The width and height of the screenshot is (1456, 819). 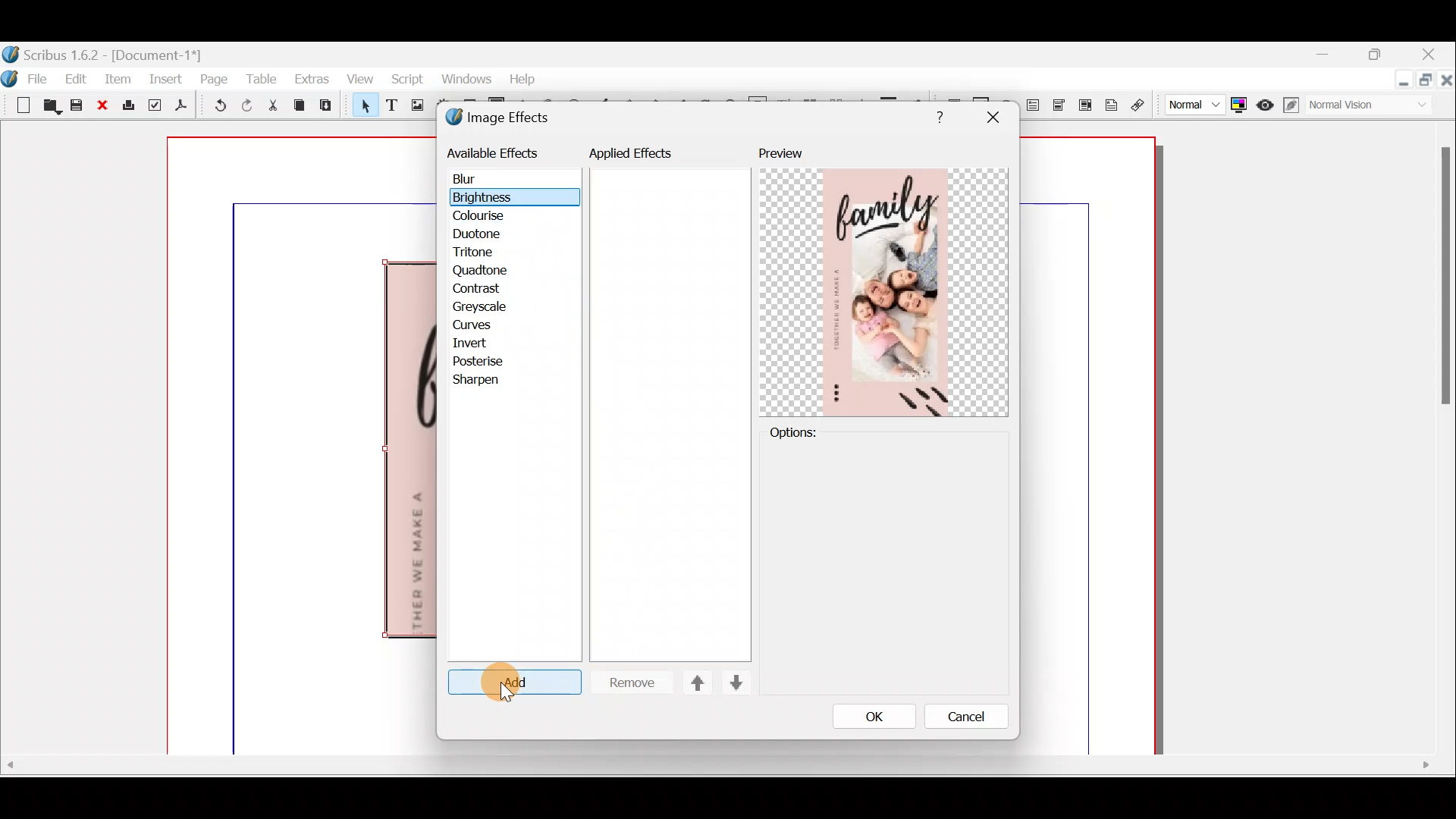 I want to click on Cancel, so click(x=956, y=720).